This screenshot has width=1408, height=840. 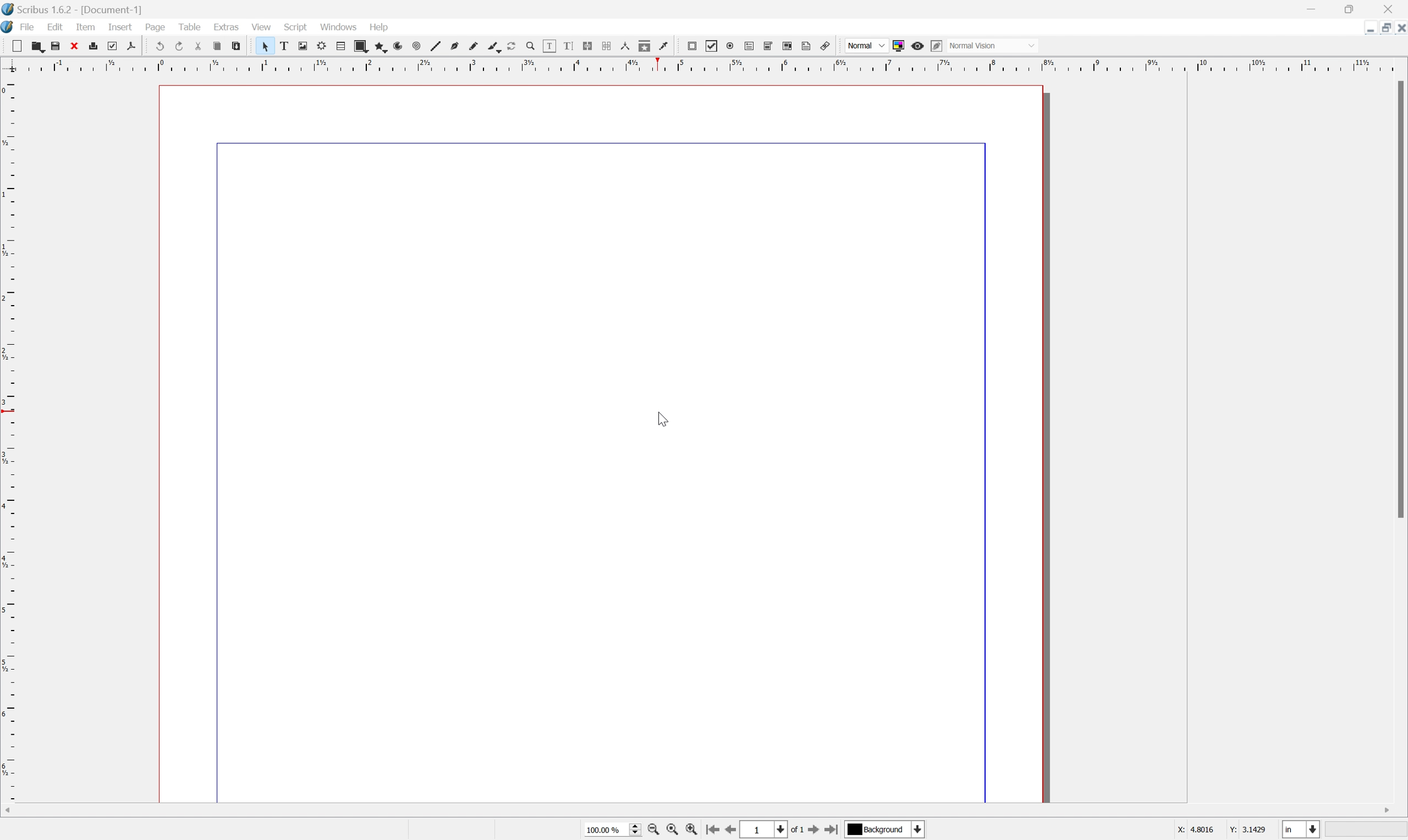 What do you see at coordinates (938, 45) in the screenshot?
I see `edit in preview mode` at bounding box center [938, 45].